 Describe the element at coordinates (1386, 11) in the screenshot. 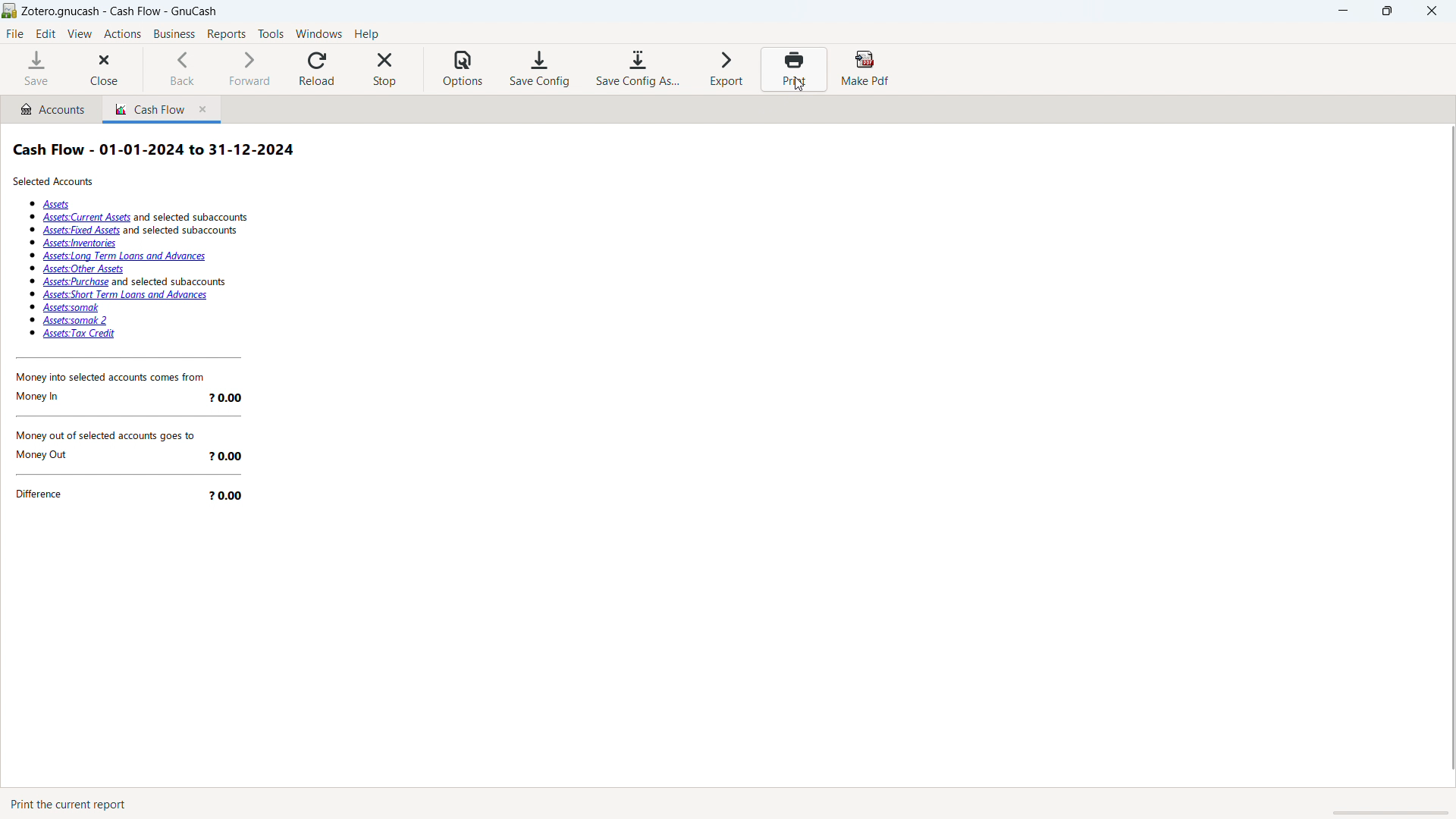

I see `maximize` at that location.